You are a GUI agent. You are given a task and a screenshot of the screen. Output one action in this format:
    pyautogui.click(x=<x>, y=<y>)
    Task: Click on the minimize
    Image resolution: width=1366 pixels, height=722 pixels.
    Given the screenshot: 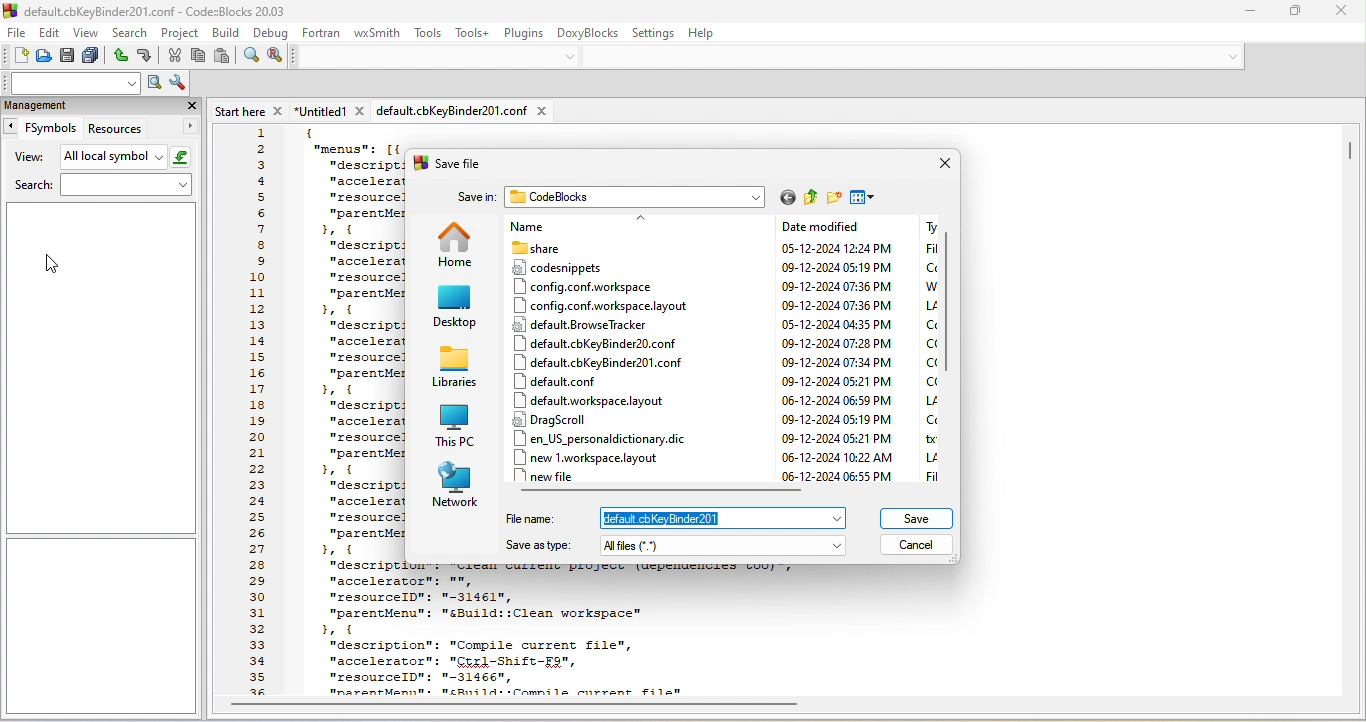 What is the action you would take?
    pyautogui.click(x=1249, y=13)
    